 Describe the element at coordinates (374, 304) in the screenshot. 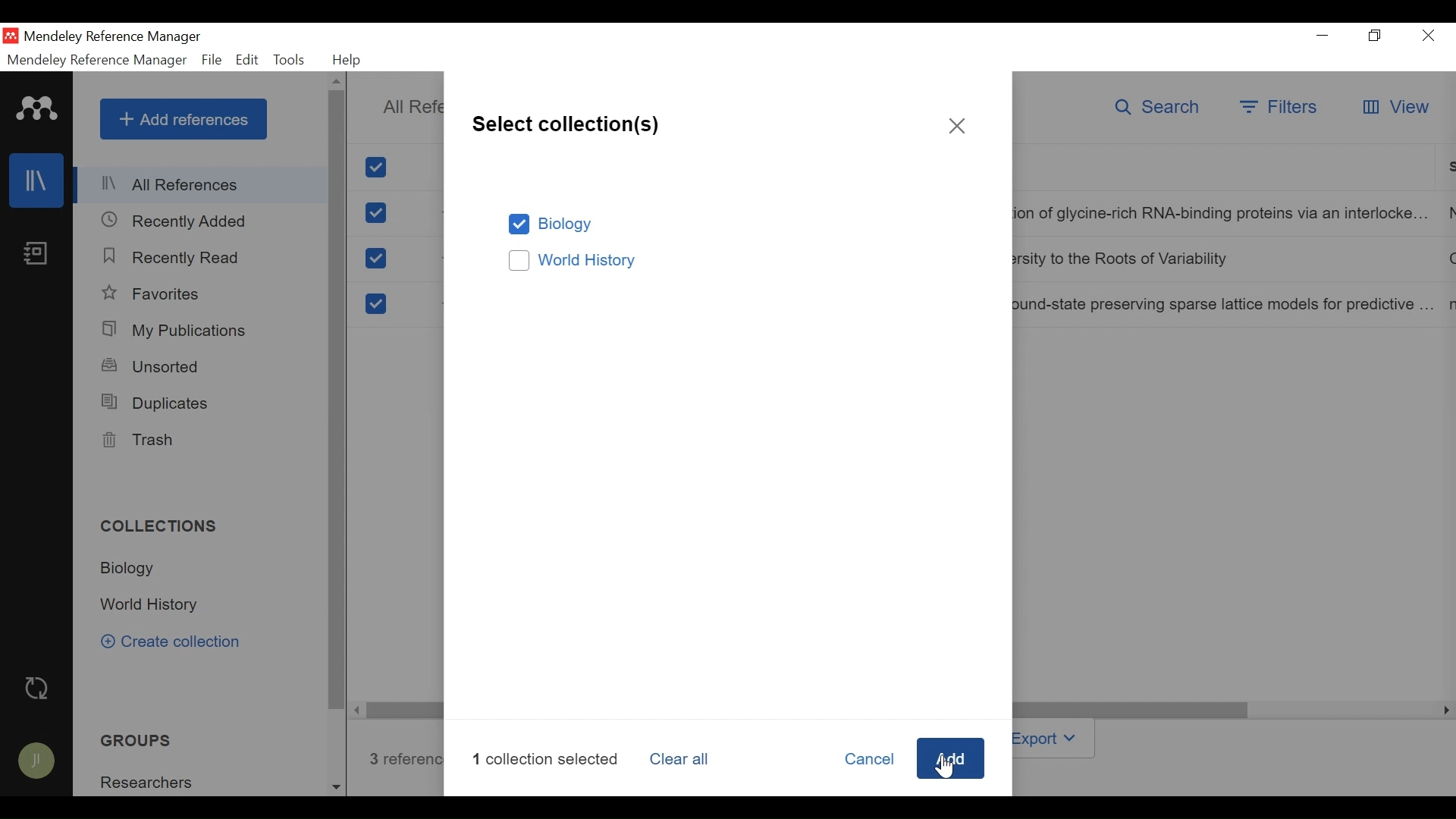

I see `(un)select` at that location.